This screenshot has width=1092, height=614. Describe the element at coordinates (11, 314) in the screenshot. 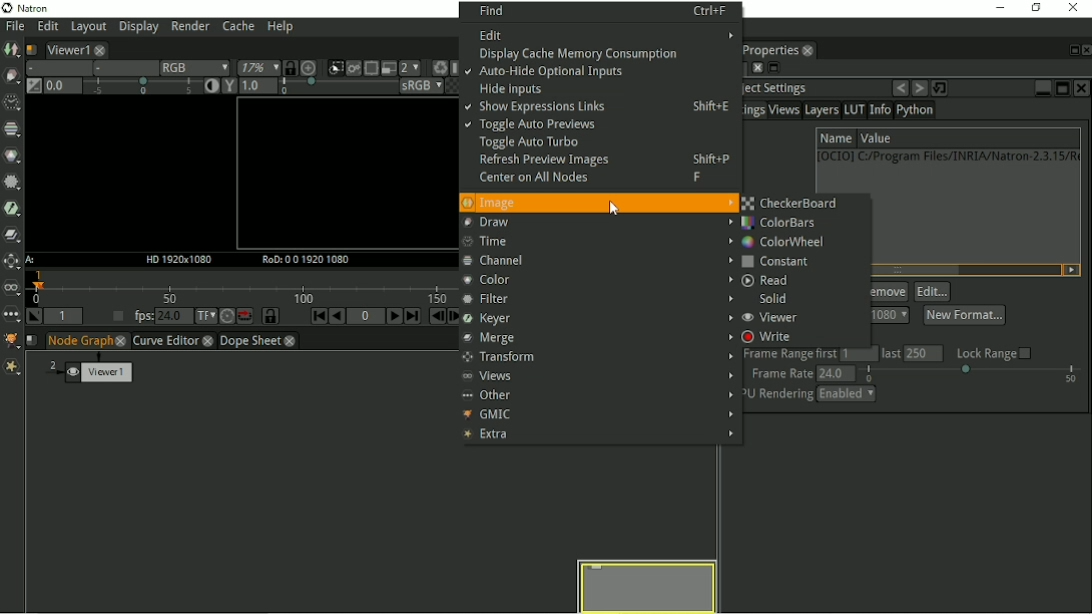

I see `Other` at that location.